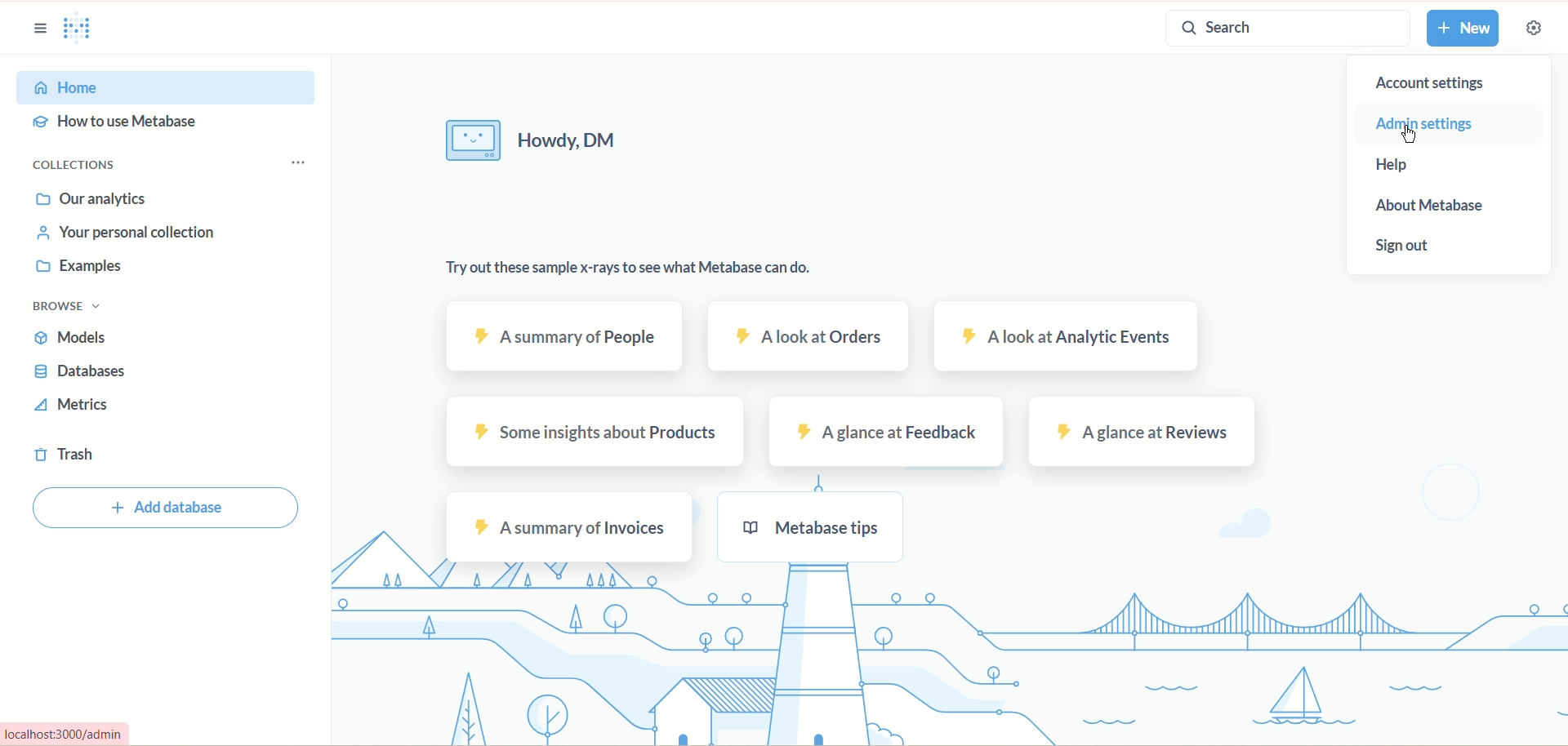  I want to click on how to use metadata, so click(118, 123).